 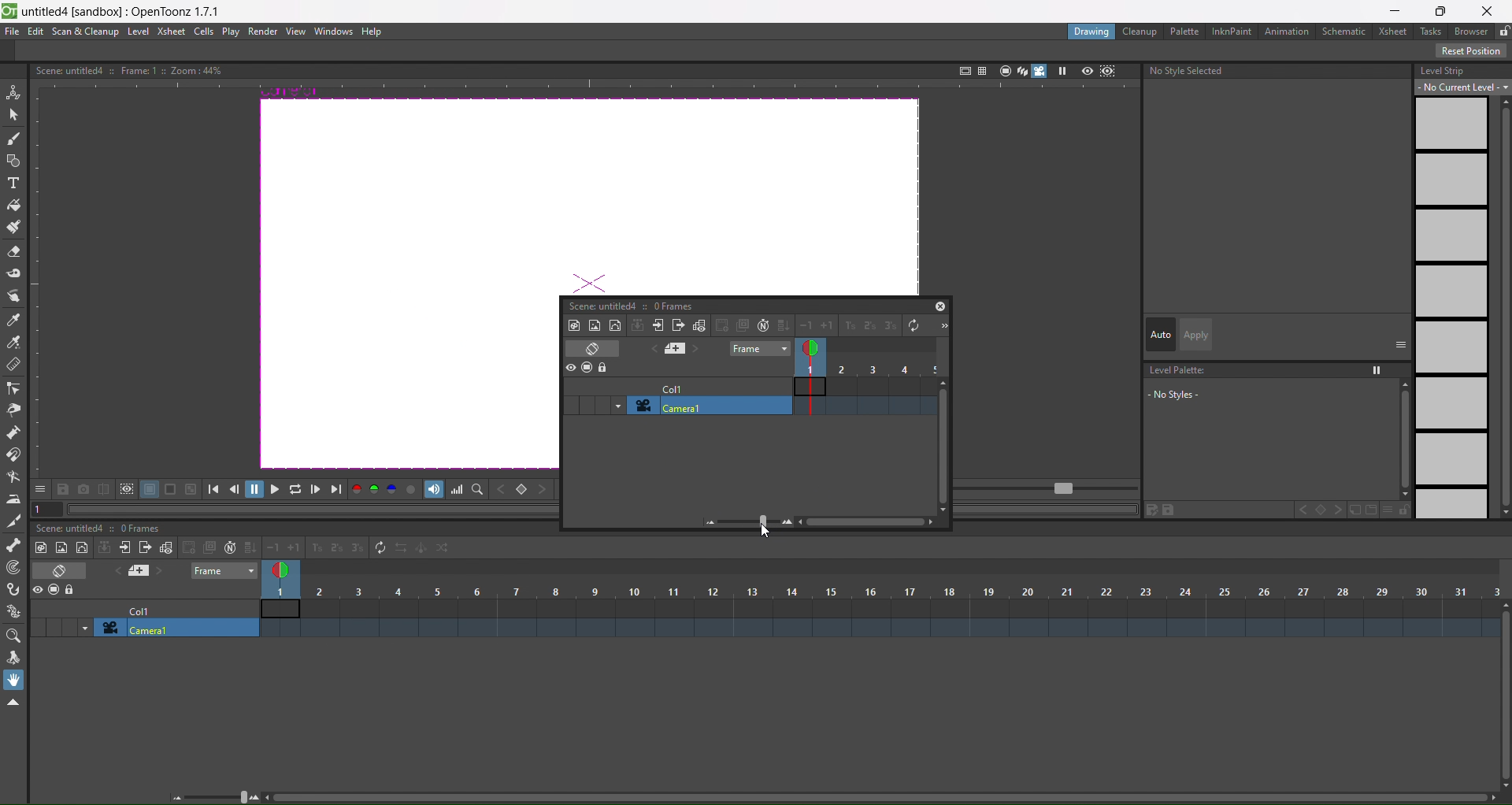 What do you see at coordinates (178, 629) in the screenshot?
I see `camera1` at bounding box center [178, 629].